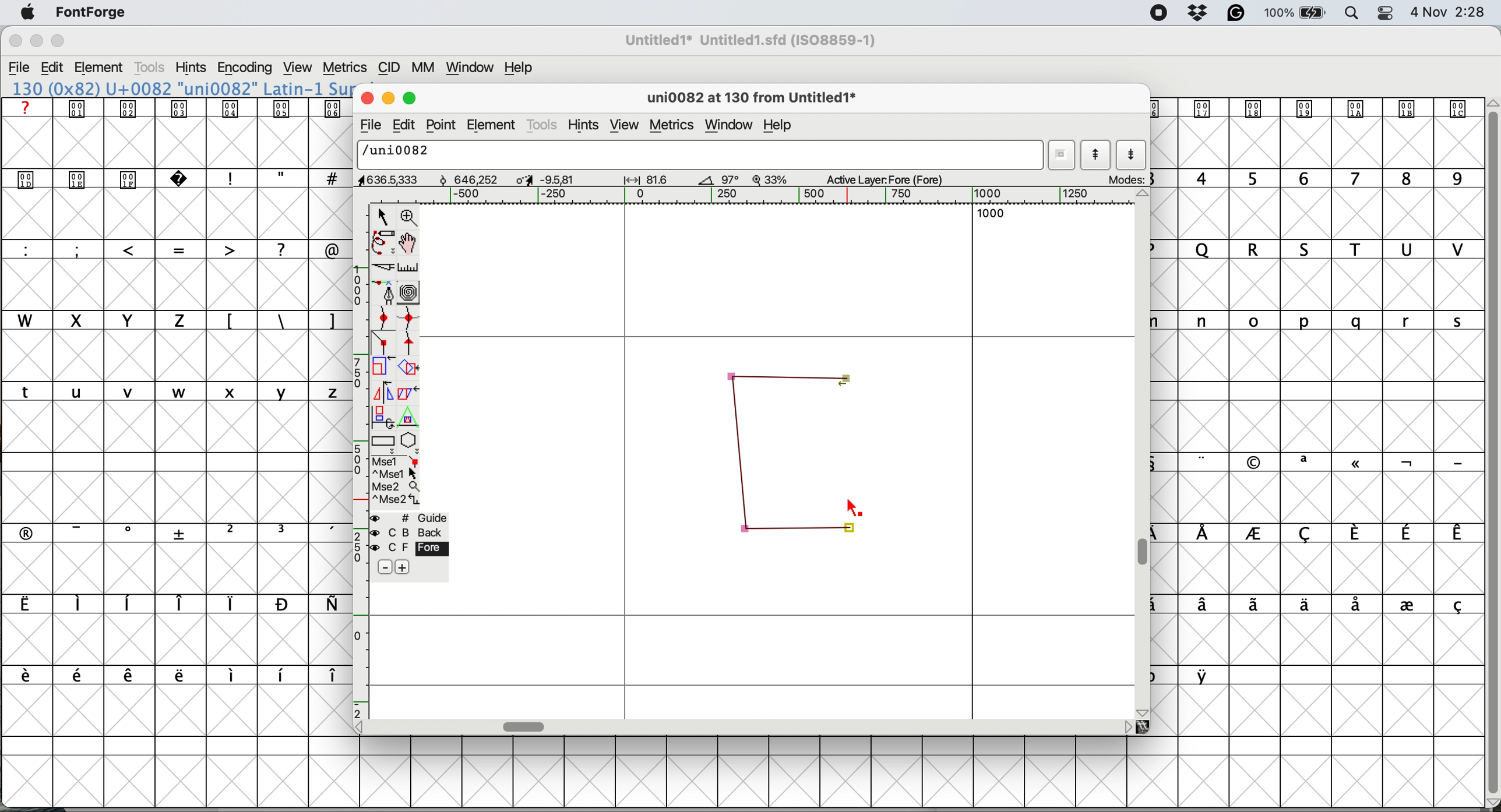 The image size is (1501, 812). What do you see at coordinates (1146, 553) in the screenshot?
I see `vertical scroll bar` at bounding box center [1146, 553].